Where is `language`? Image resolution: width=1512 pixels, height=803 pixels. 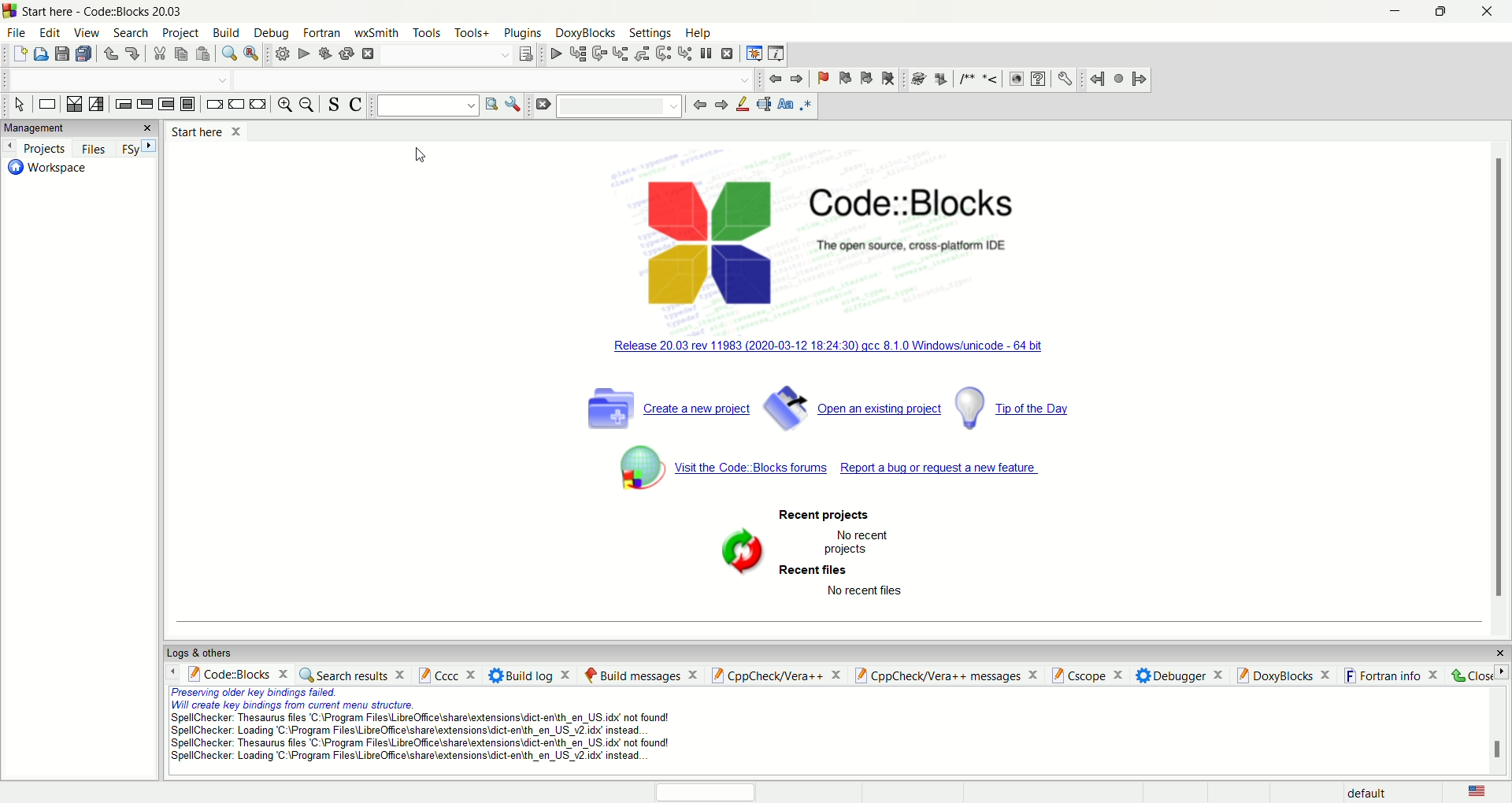
language is located at coordinates (1478, 793).